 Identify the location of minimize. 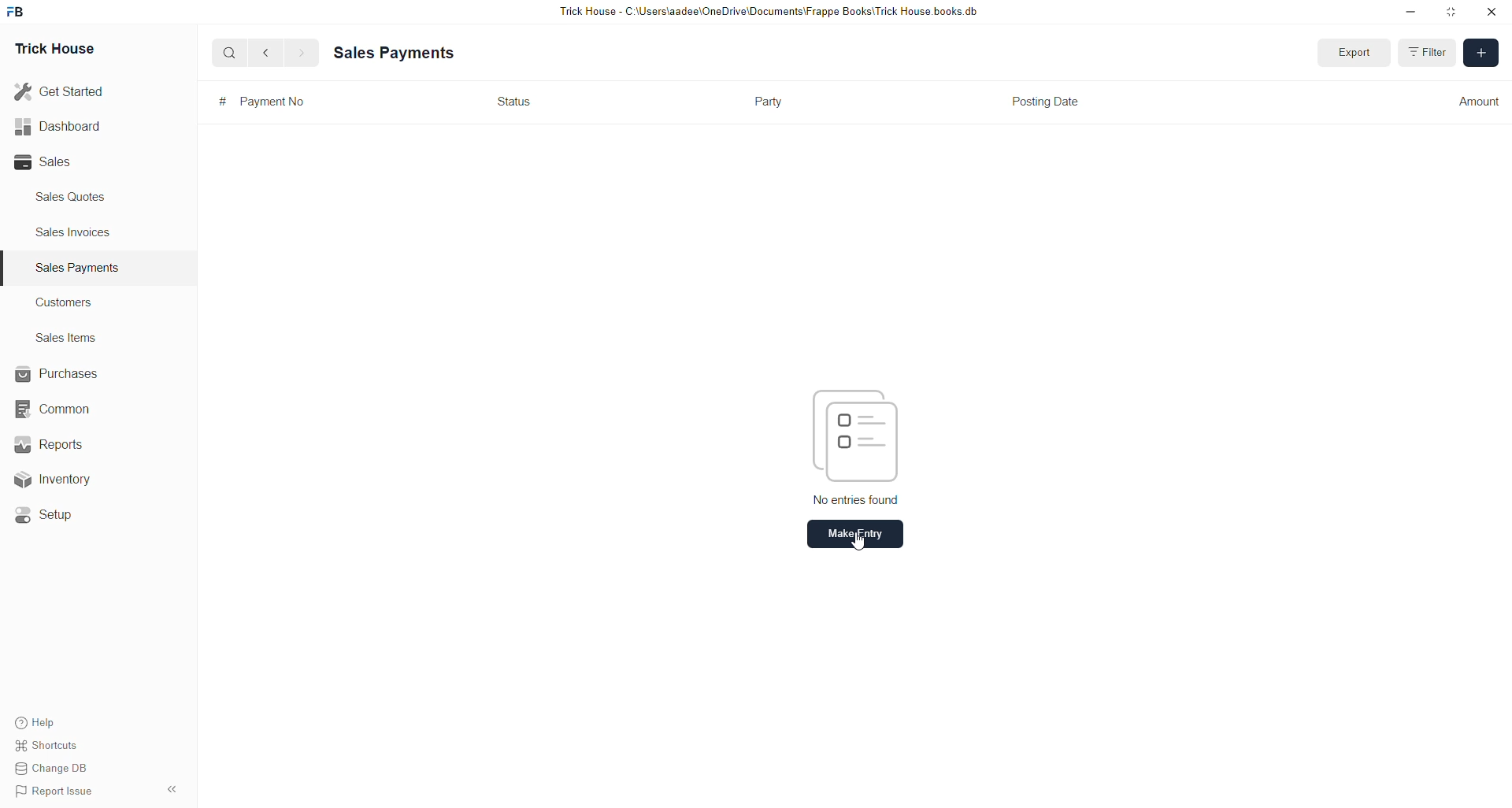
(1411, 13).